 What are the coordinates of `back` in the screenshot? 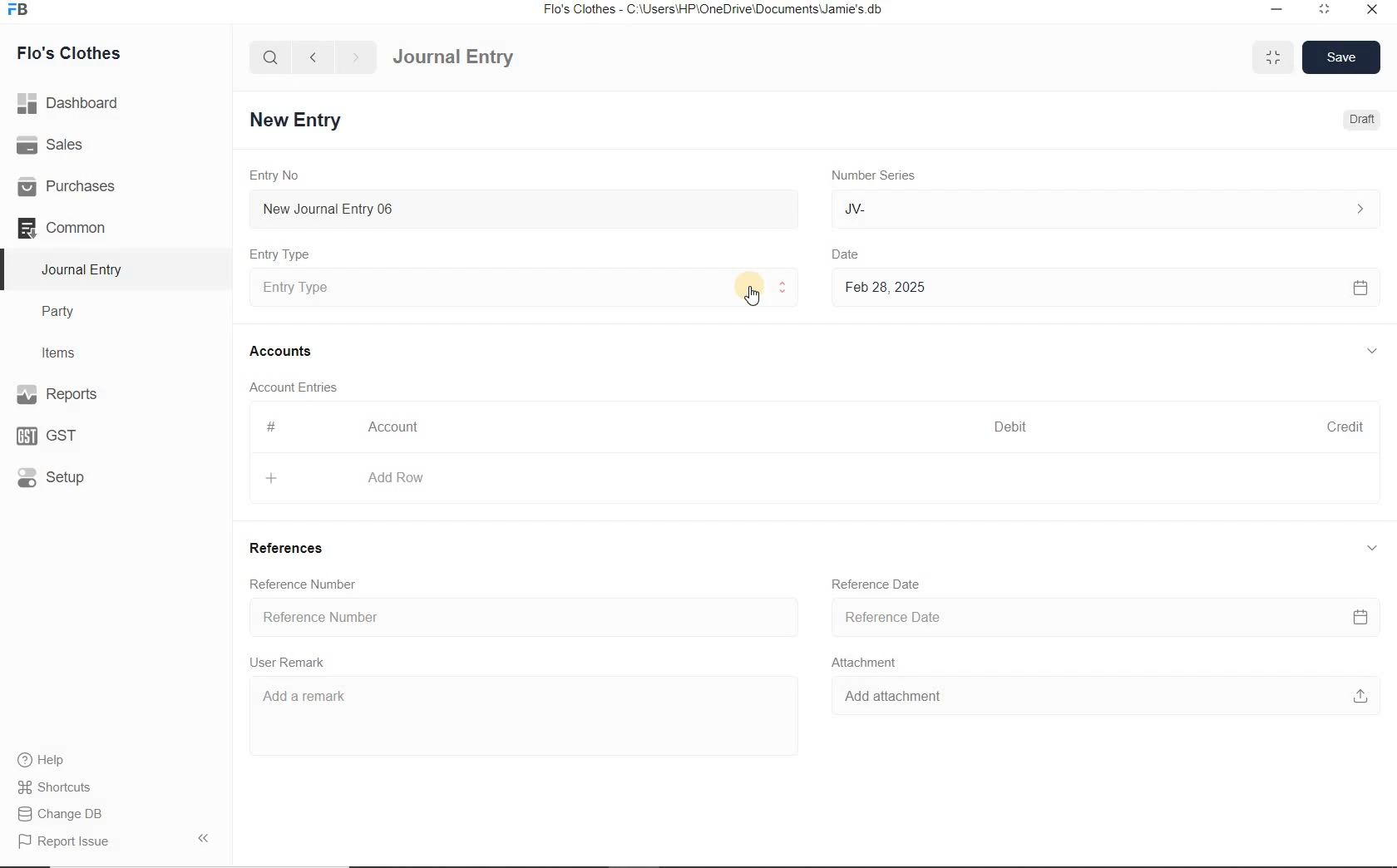 It's located at (313, 56).